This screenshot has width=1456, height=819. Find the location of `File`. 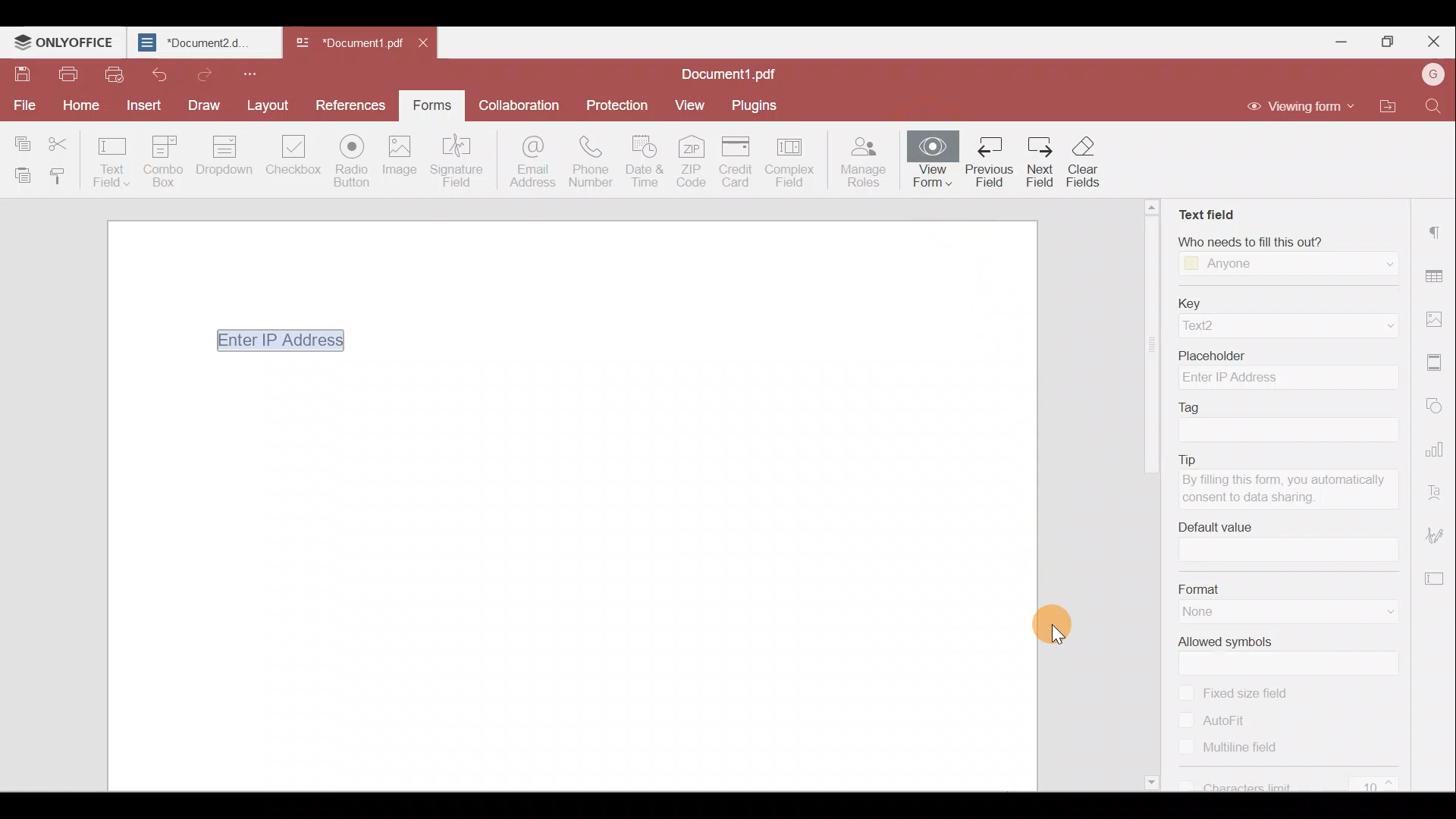

File is located at coordinates (23, 104).